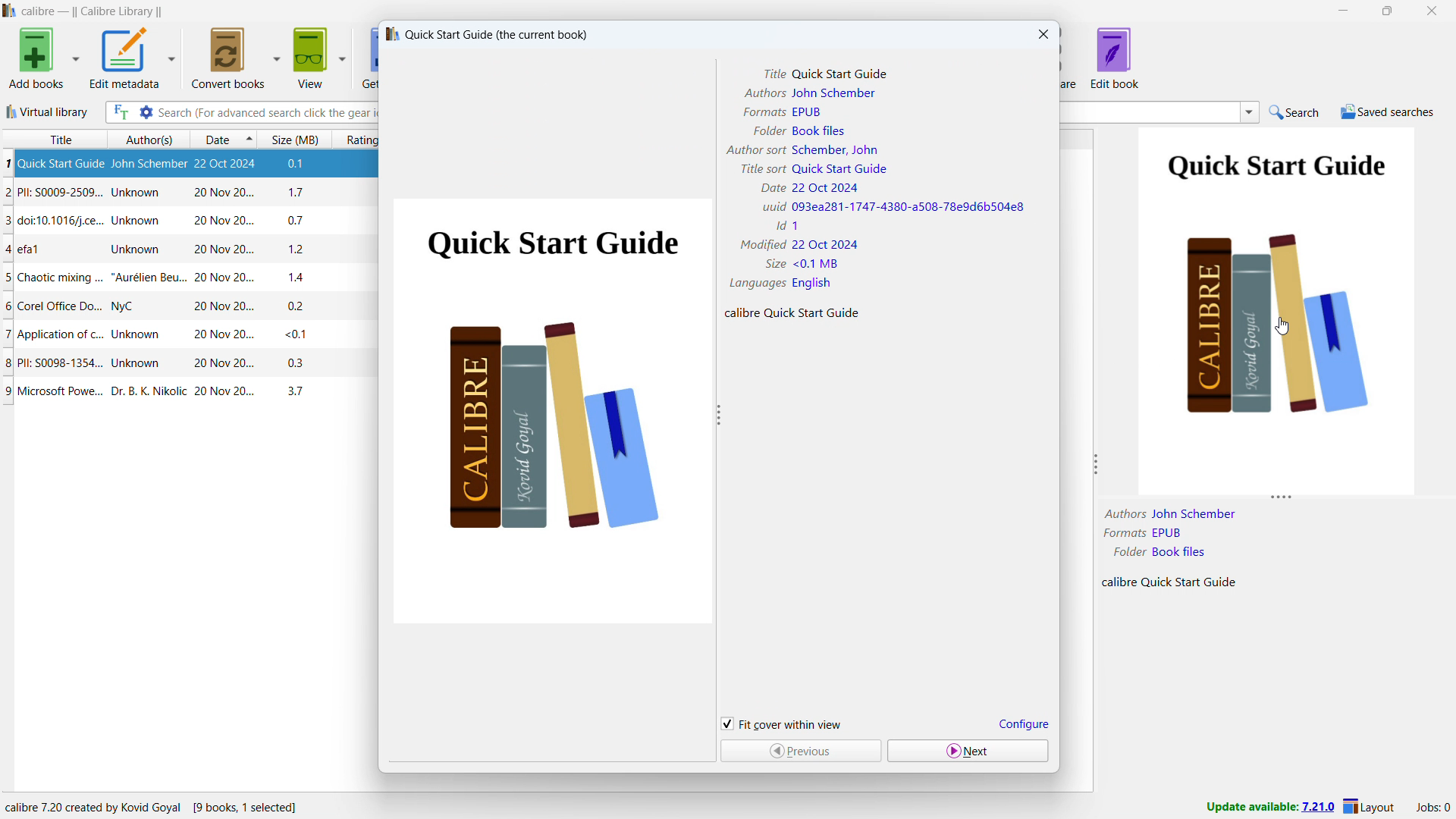  I want to click on view, so click(312, 57).